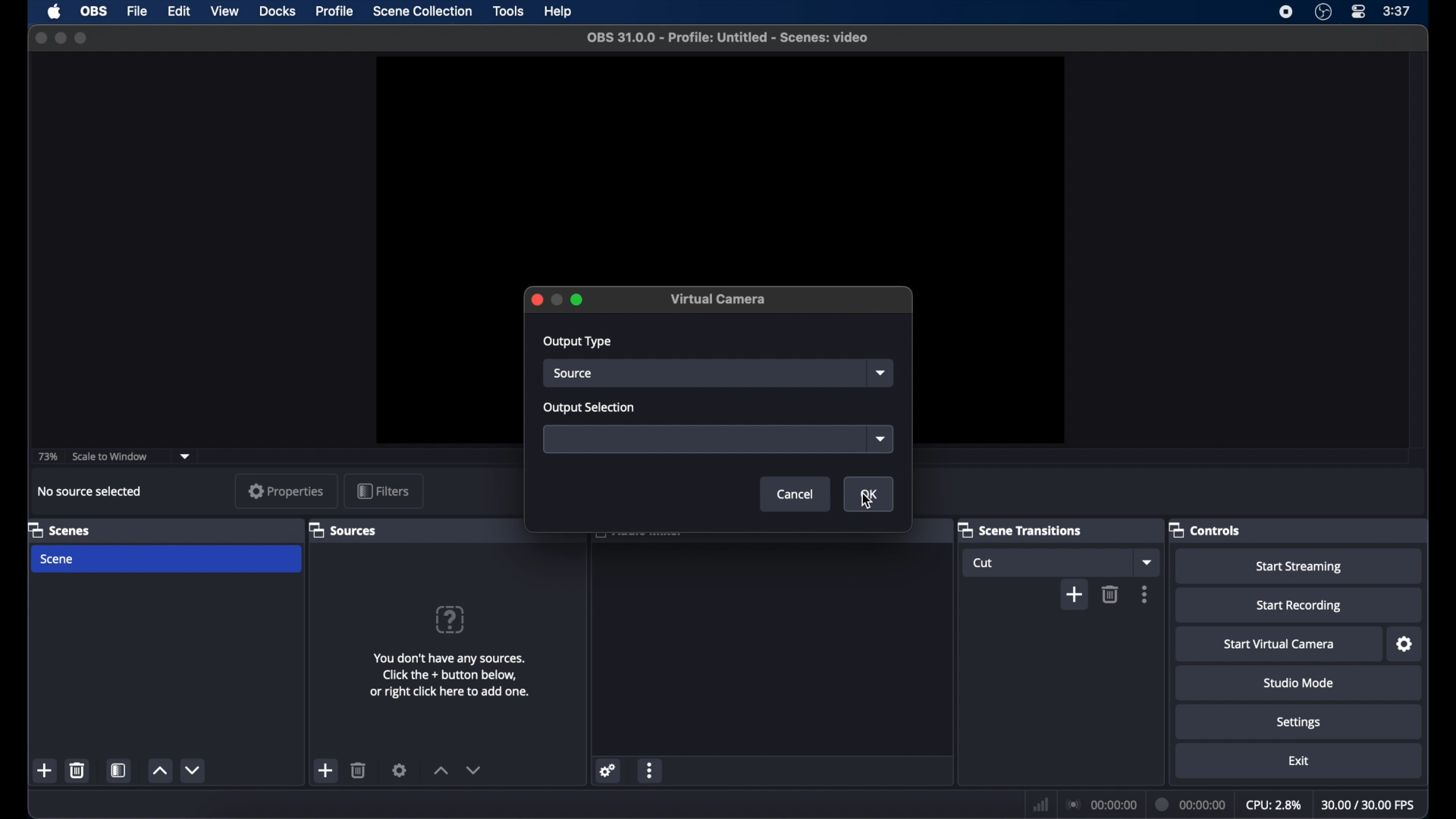  I want to click on delete, so click(1110, 594).